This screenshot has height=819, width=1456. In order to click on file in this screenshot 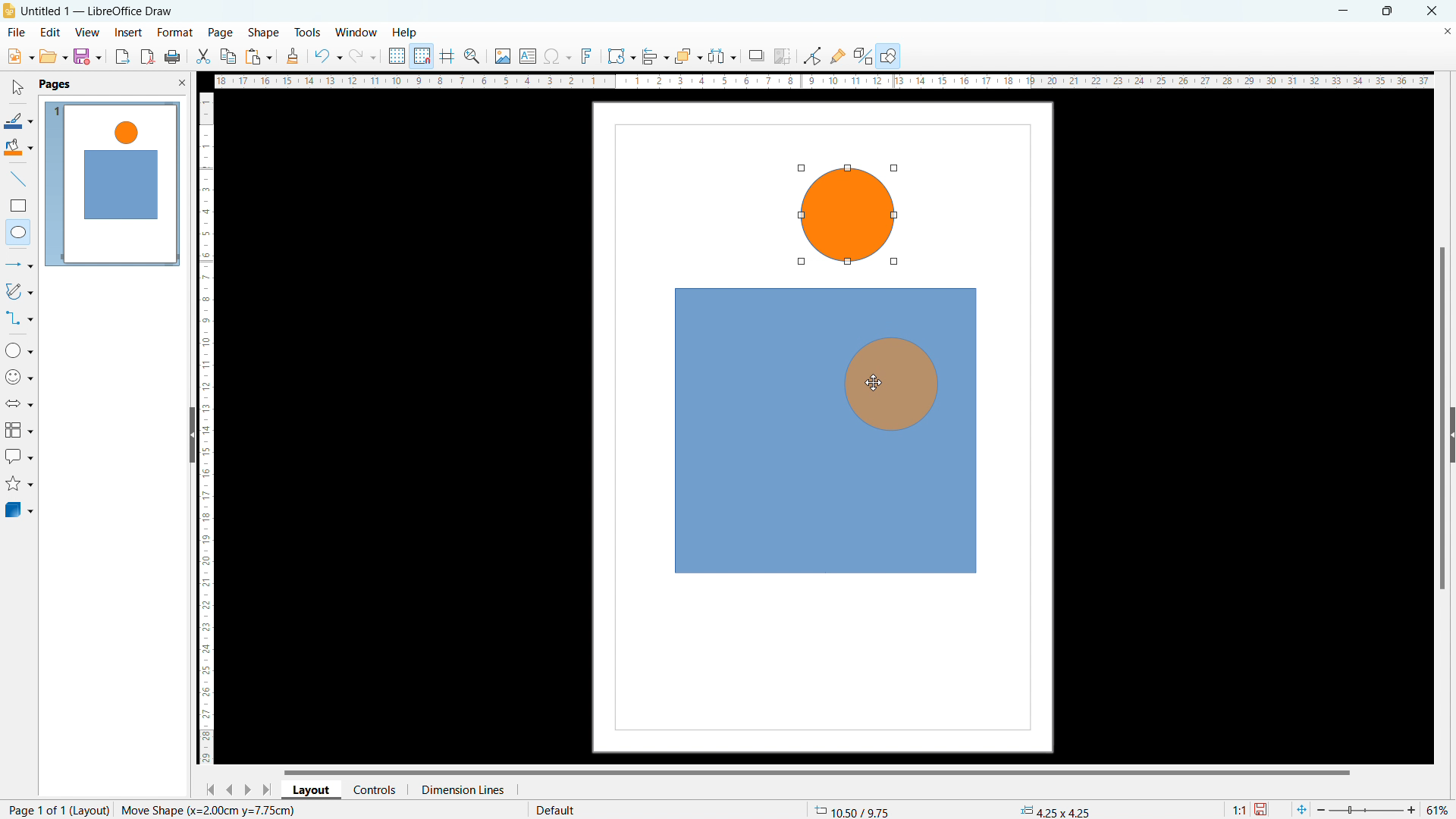, I will do `click(15, 33)`.